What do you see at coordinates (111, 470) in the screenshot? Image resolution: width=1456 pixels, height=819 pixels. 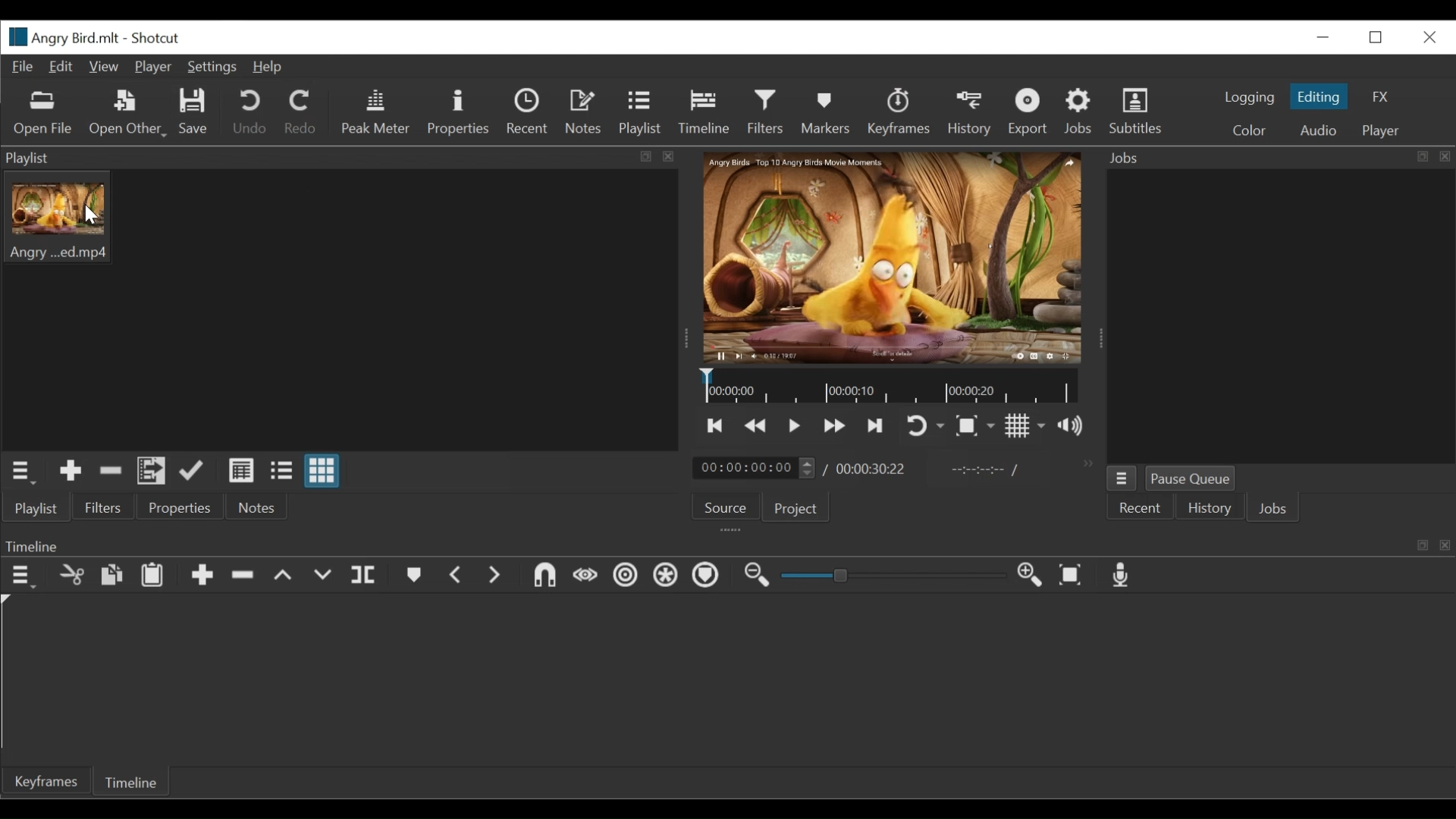 I see `Remove cut` at bounding box center [111, 470].